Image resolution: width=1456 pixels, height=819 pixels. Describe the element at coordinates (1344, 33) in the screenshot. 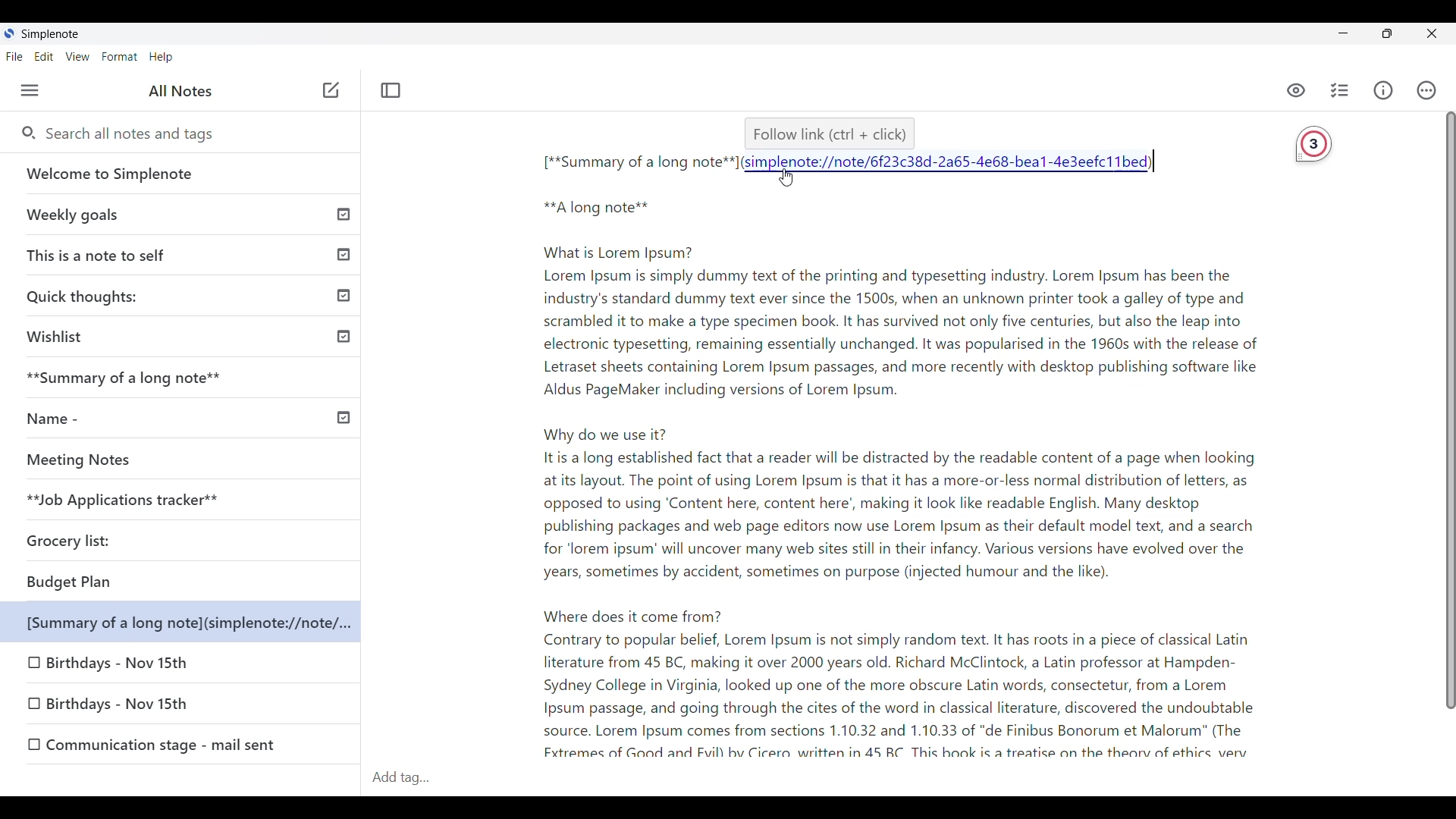

I see `Minimize` at that location.